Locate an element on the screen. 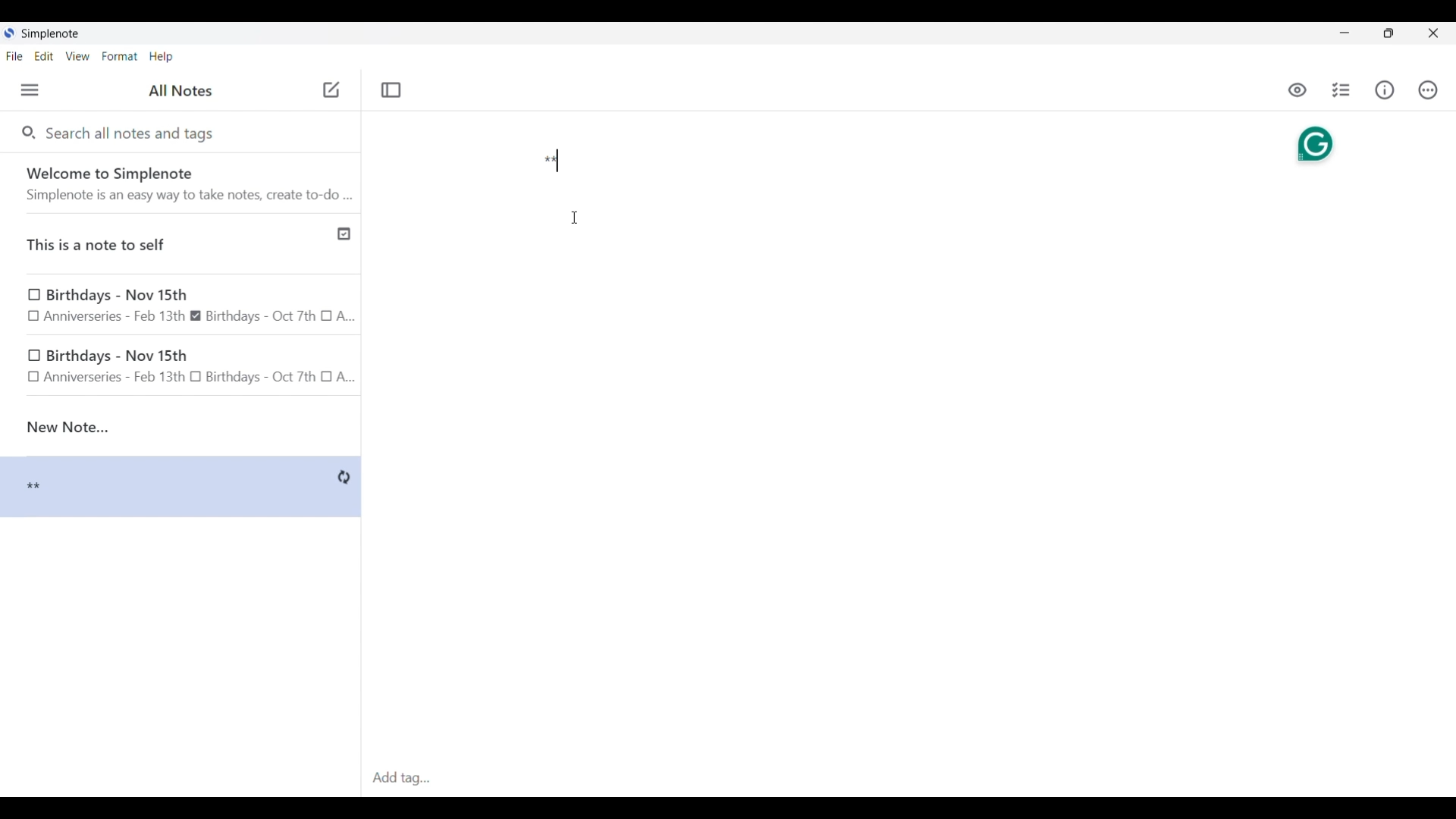  Help menu is located at coordinates (161, 56).